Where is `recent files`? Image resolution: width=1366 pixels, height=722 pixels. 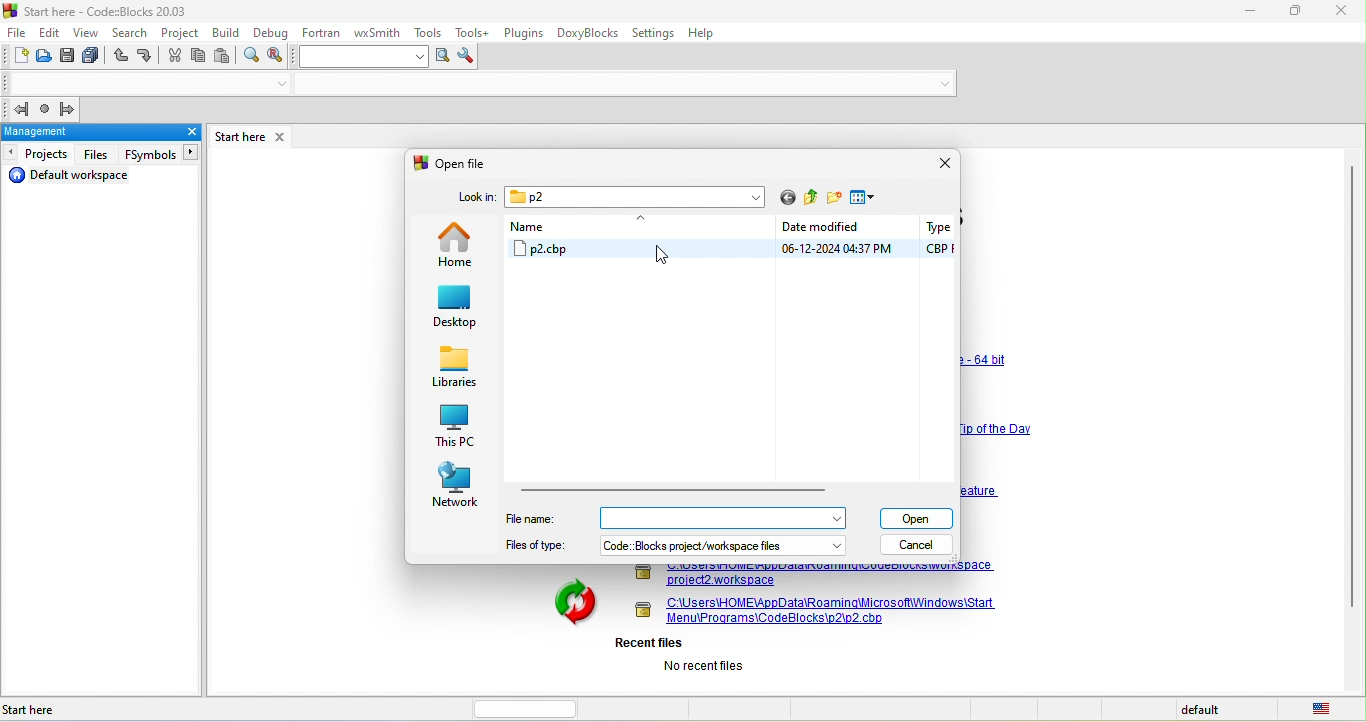
recent files is located at coordinates (681, 655).